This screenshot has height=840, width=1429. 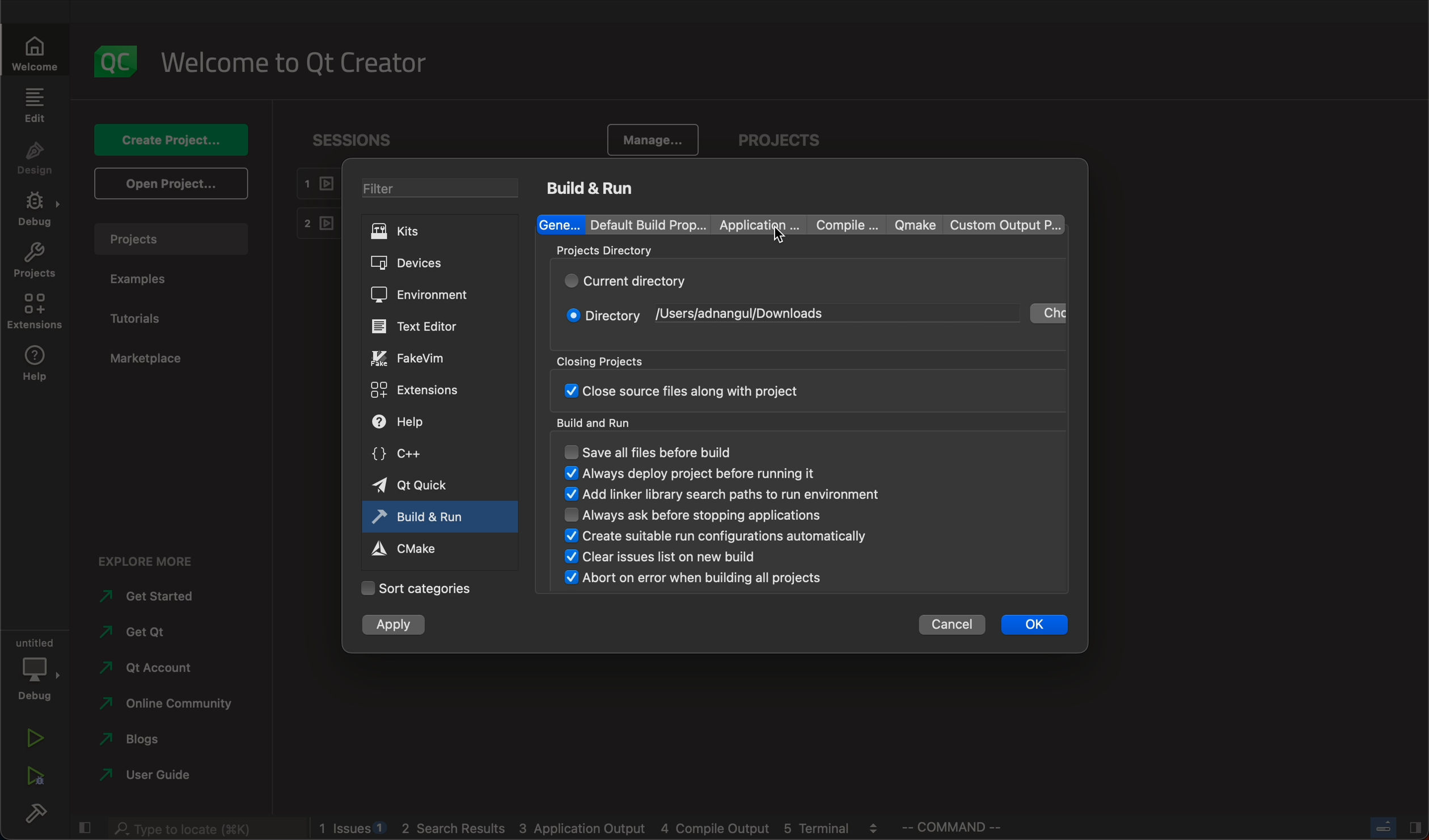 What do you see at coordinates (35, 208) in the screenshot?
I see `debug` at bounding box center [35, 208].